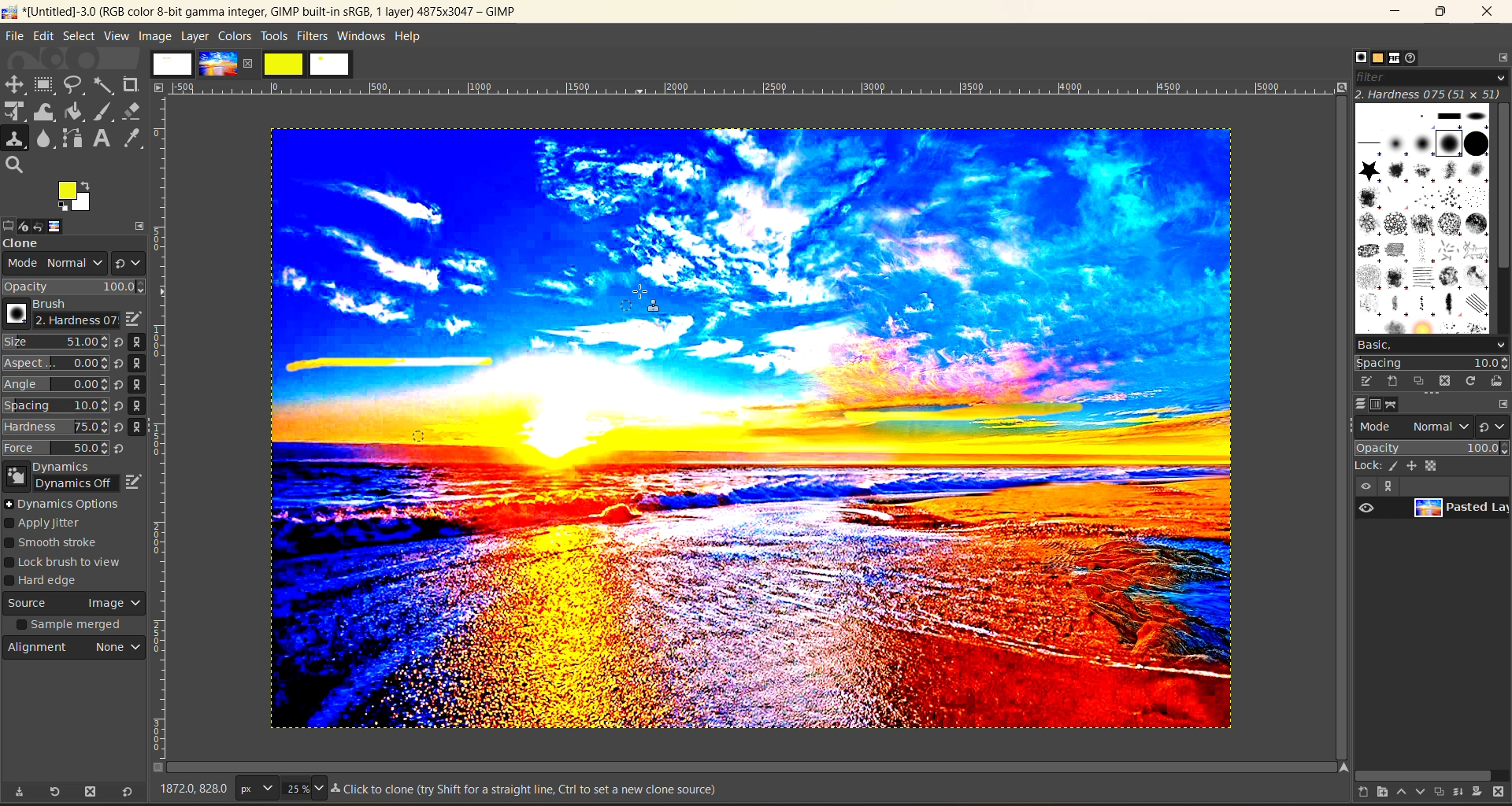 This screenshot has height=806, width=1512. What do you see at coordinates (1355, 57) in the screenshot?
I see `brushes` at bounding box center [1355, 57].